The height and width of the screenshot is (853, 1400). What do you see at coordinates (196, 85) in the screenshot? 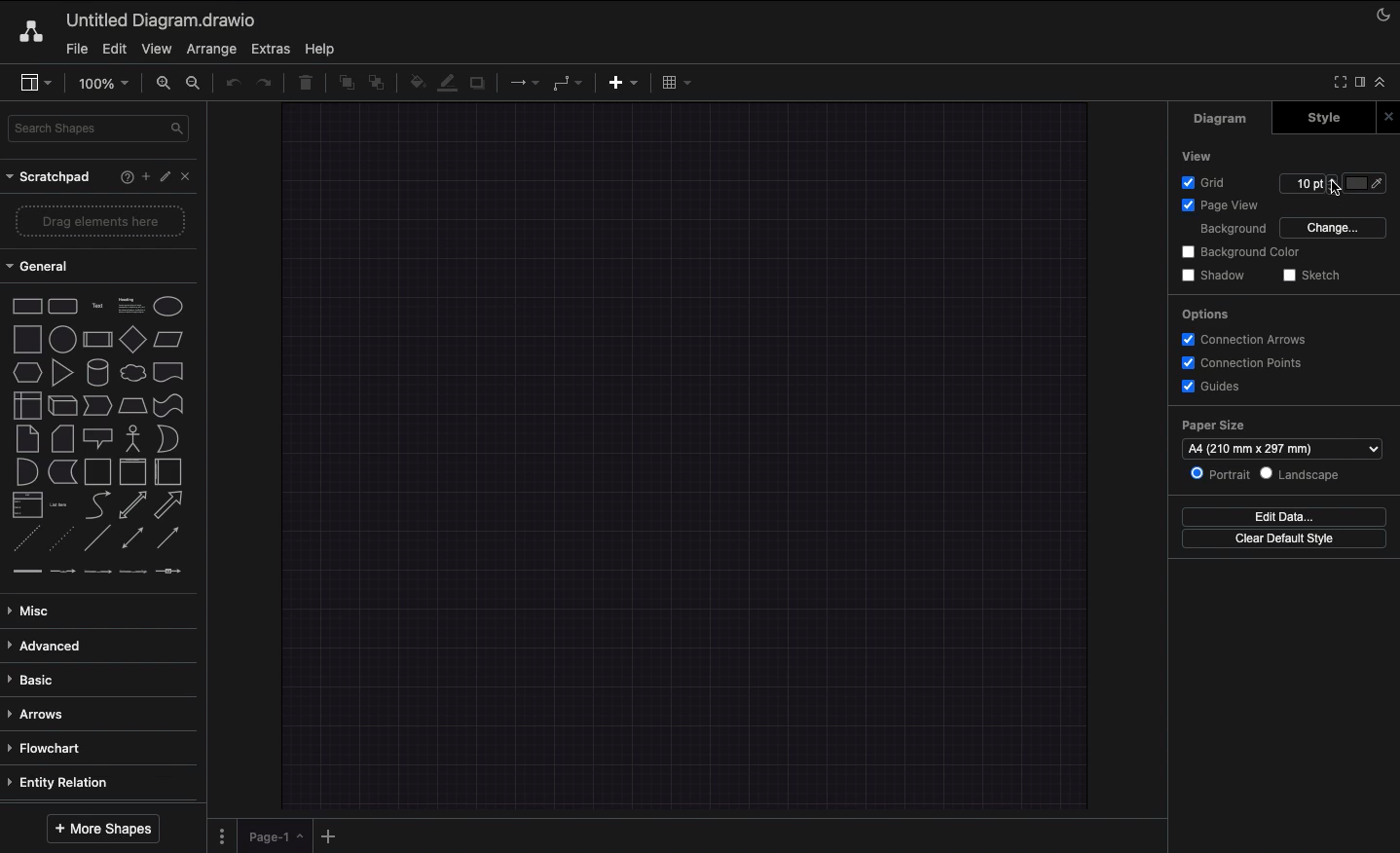
I see `Zoom out` at bounding box center [196, 85].